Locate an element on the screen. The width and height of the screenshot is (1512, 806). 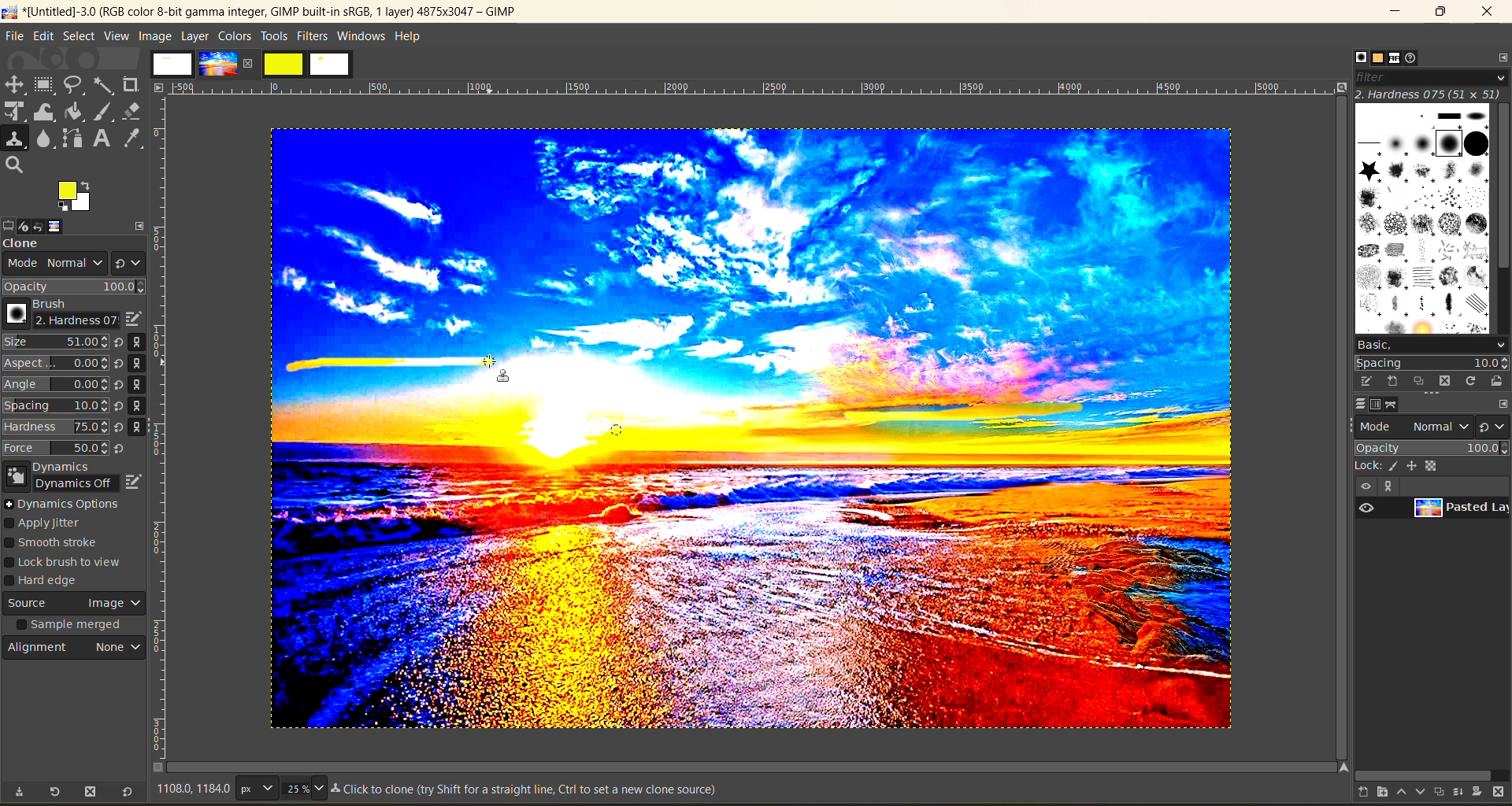
tool options is located at coordinates (9, 224).